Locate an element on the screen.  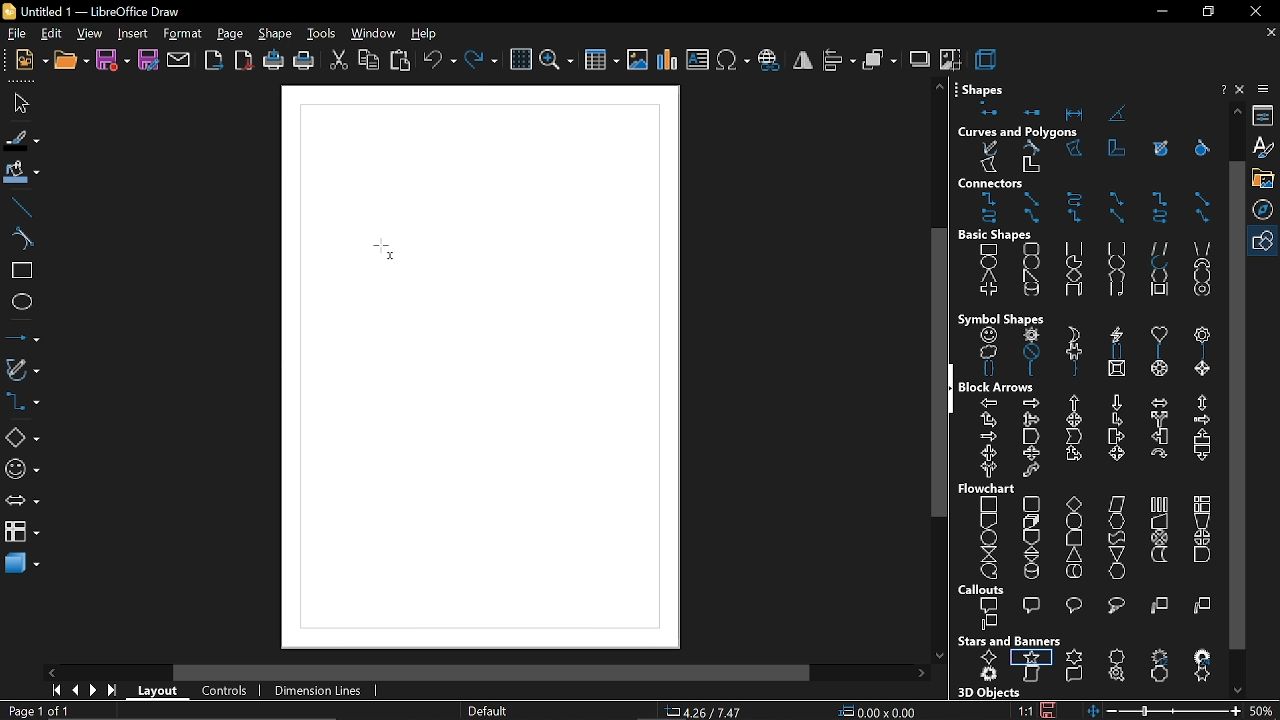
file is located at coordinates (24, 102).